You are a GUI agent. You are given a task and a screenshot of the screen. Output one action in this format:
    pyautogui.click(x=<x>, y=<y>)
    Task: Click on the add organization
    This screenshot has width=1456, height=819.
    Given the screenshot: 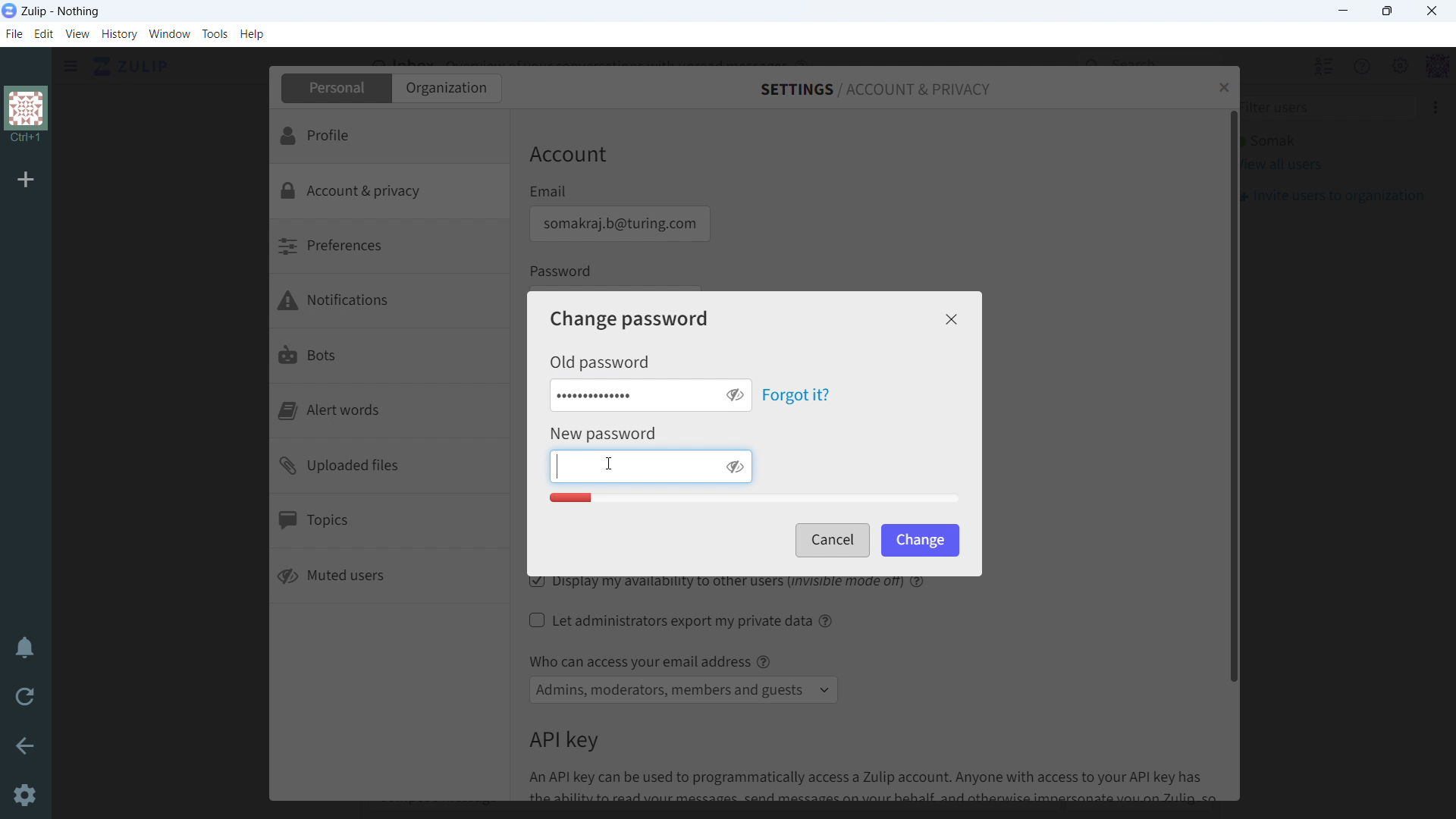 What is the action you would take?
    pyautogui.click(x=26, y=178)
    